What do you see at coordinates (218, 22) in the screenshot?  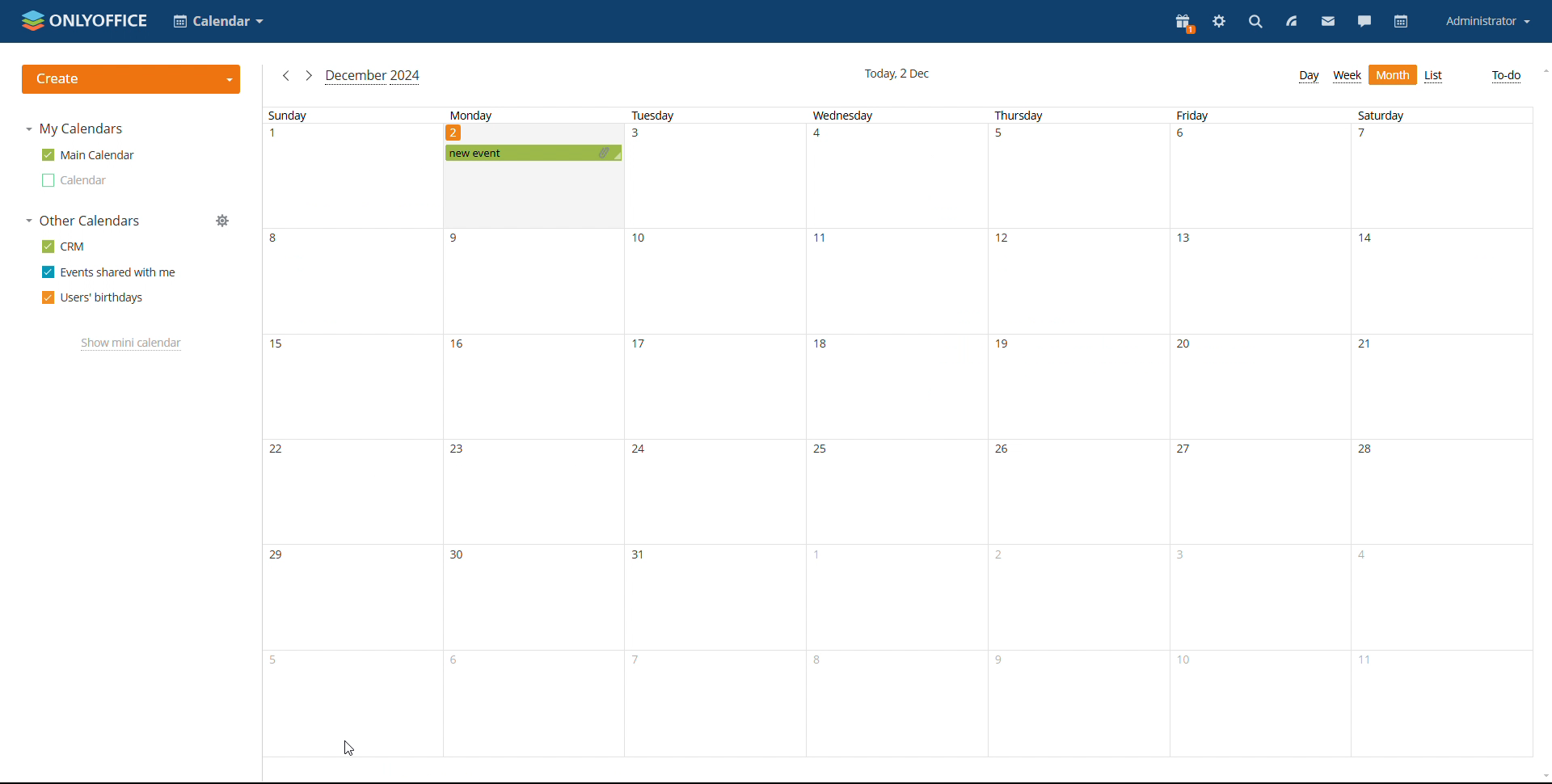 I see `select application` at bounding box center [218, 22].